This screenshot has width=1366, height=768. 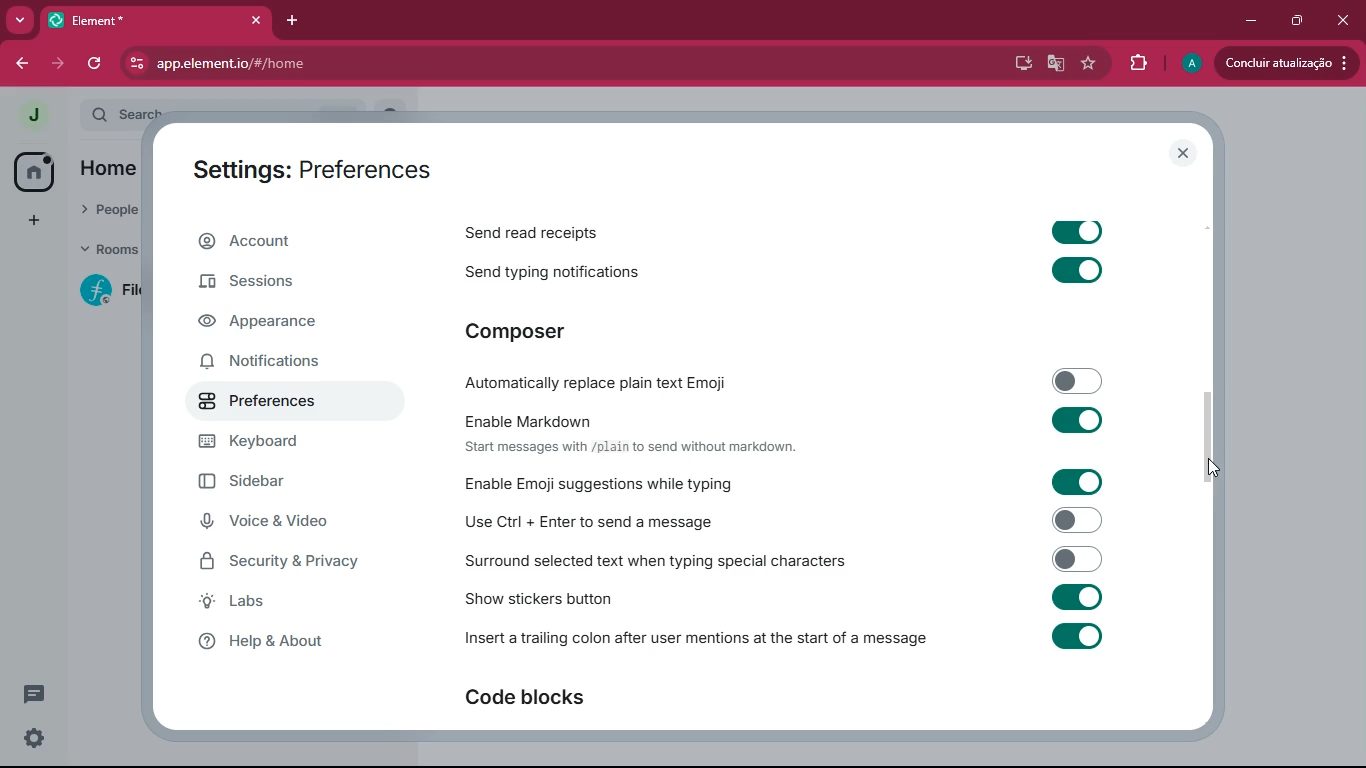 What do you see at coordinates (282, 286) in the screenshot?
I see `sessions` at bounding box center [282, 286].